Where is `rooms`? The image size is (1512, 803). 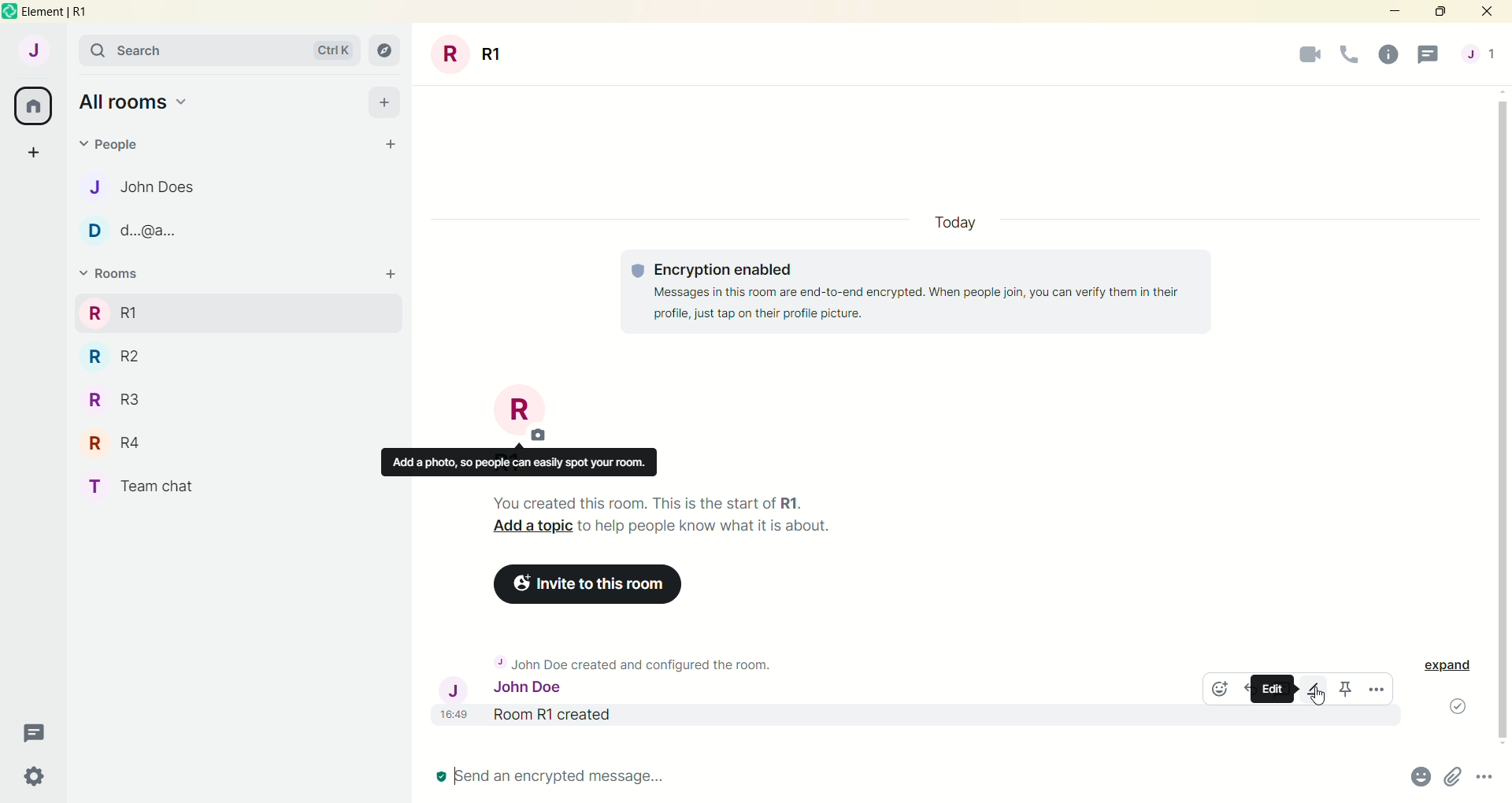
rooms is located at coordinates (112, 312).